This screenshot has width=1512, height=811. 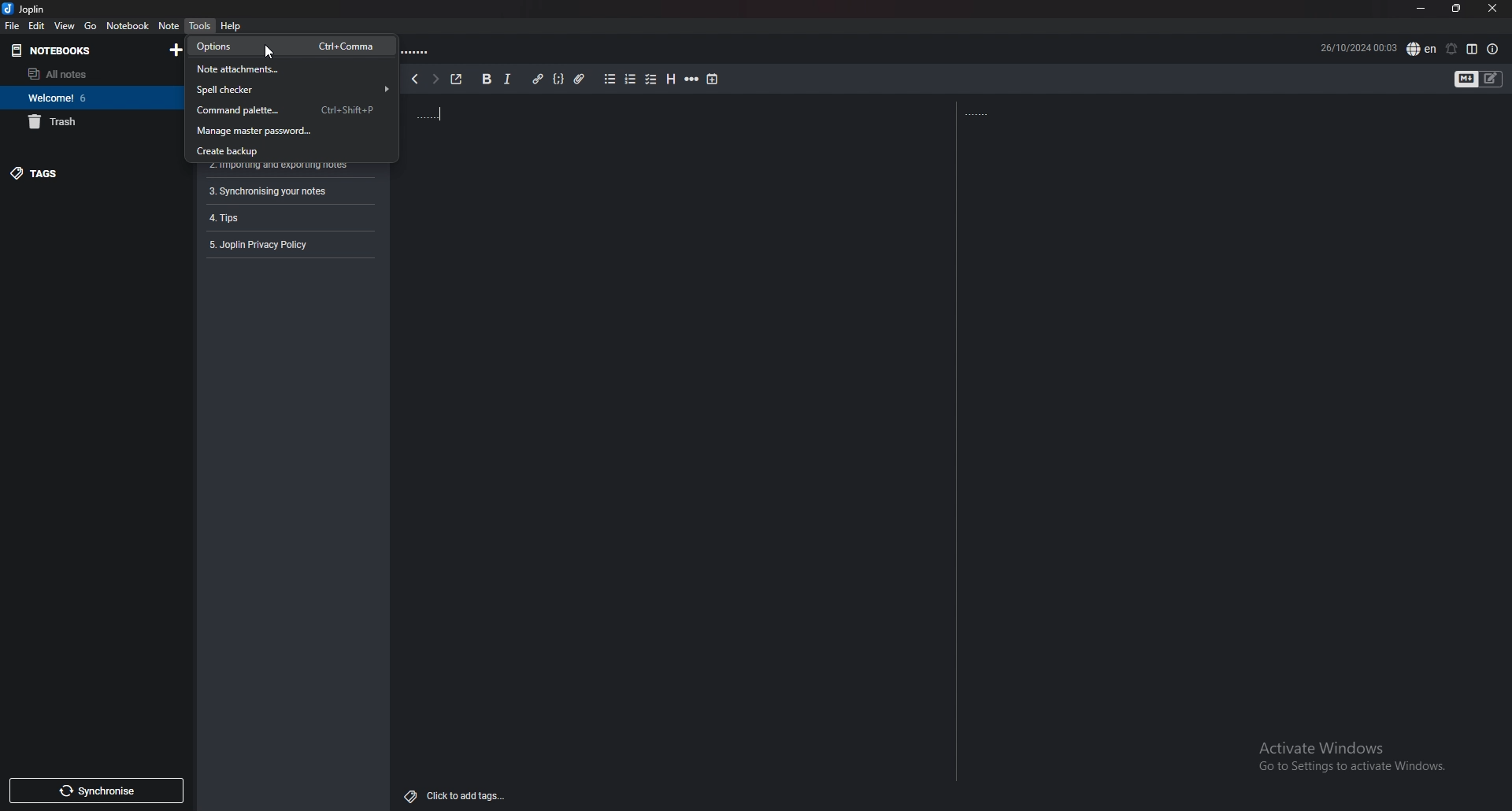 What do you see at coordinates (651, 78) in the screenshot?
I see `checkbox` at bounding box center [651, 78].